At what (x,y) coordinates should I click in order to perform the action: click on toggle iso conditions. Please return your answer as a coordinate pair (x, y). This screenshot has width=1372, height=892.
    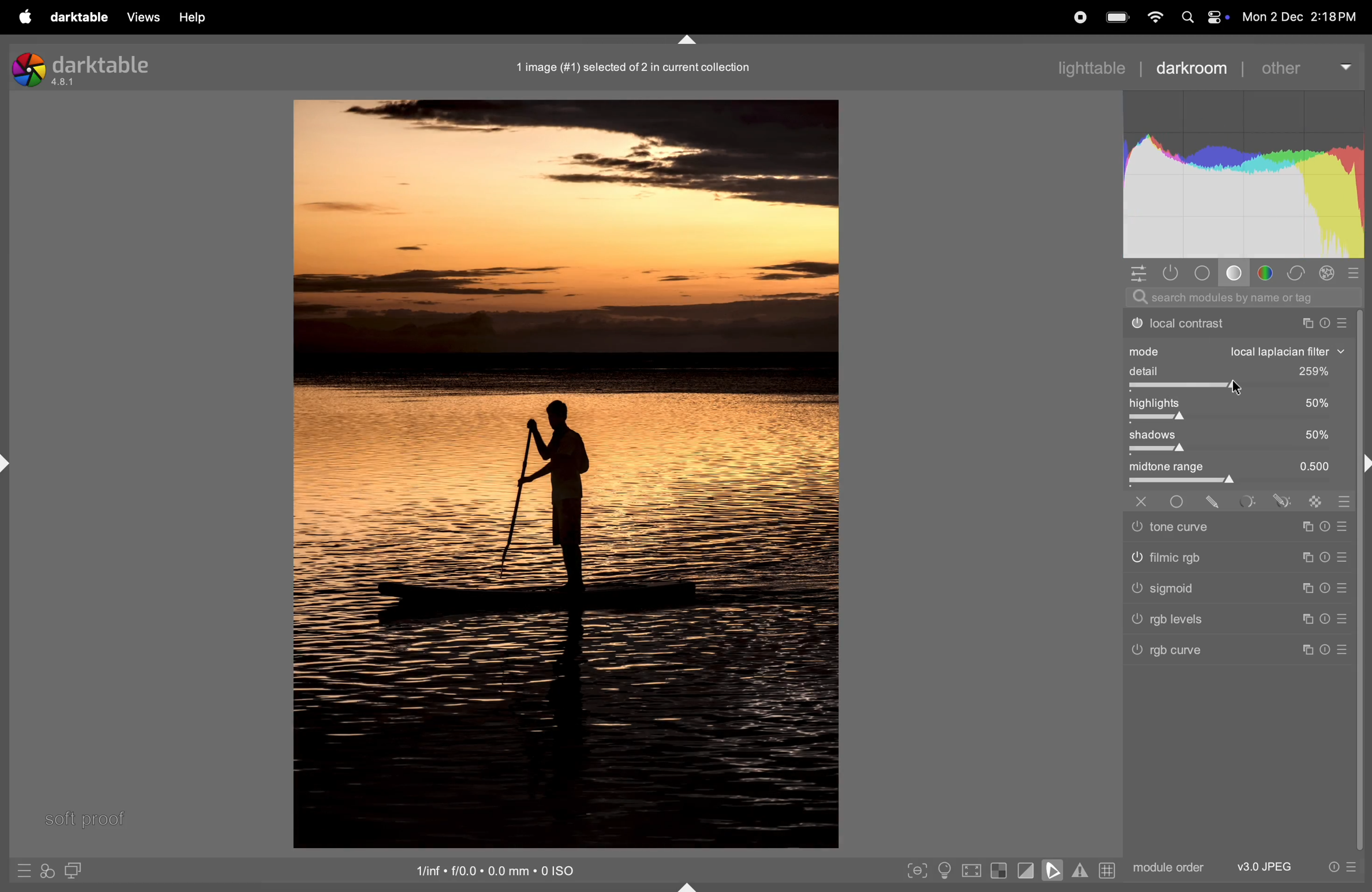
    Looking at the image, I should click on (944, 870).